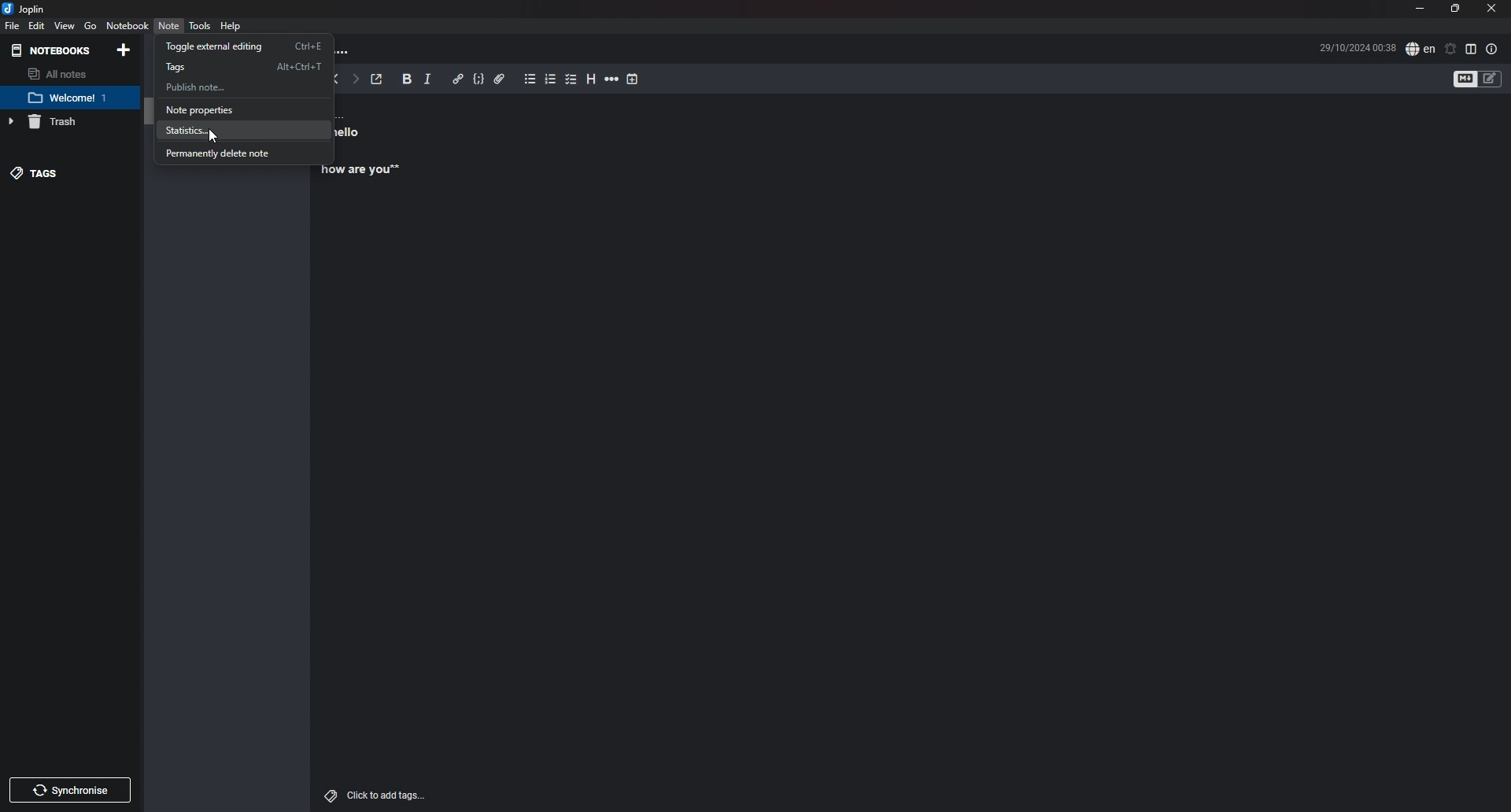 This screenshot has height=812, width=1511. Describe the element at coordinates (1420, 49) in the screenshot. I see `Set language` at that location.